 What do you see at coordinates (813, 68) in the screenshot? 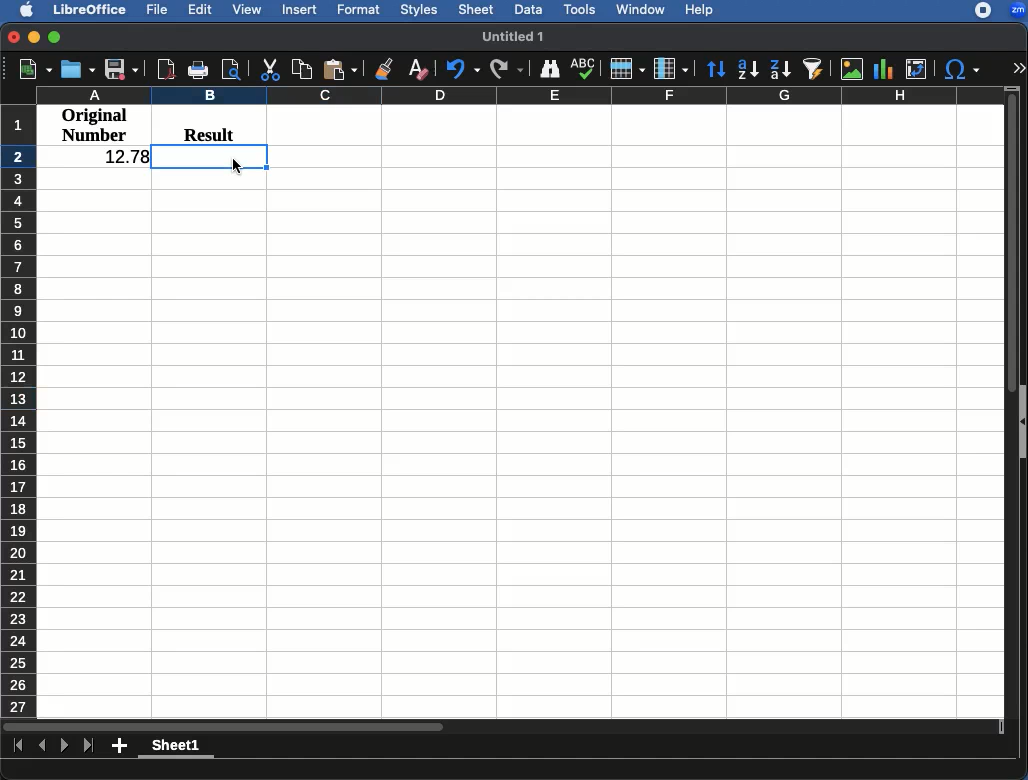
I see `AutoFilter` at bounding box center [813, 68].